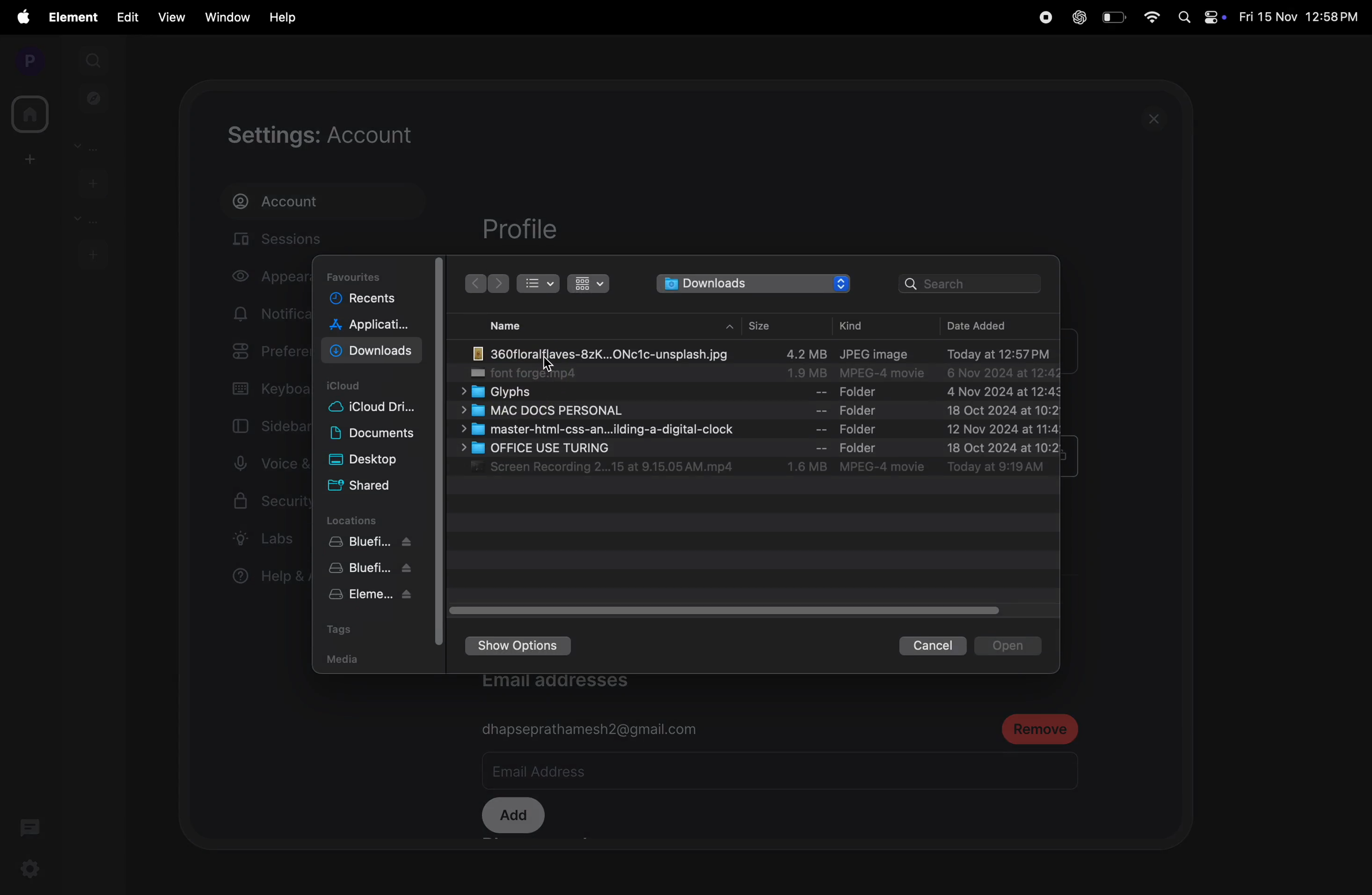 The height and width of the screenshot is (895, 1372). I want to click on table view, so click(593, 284).